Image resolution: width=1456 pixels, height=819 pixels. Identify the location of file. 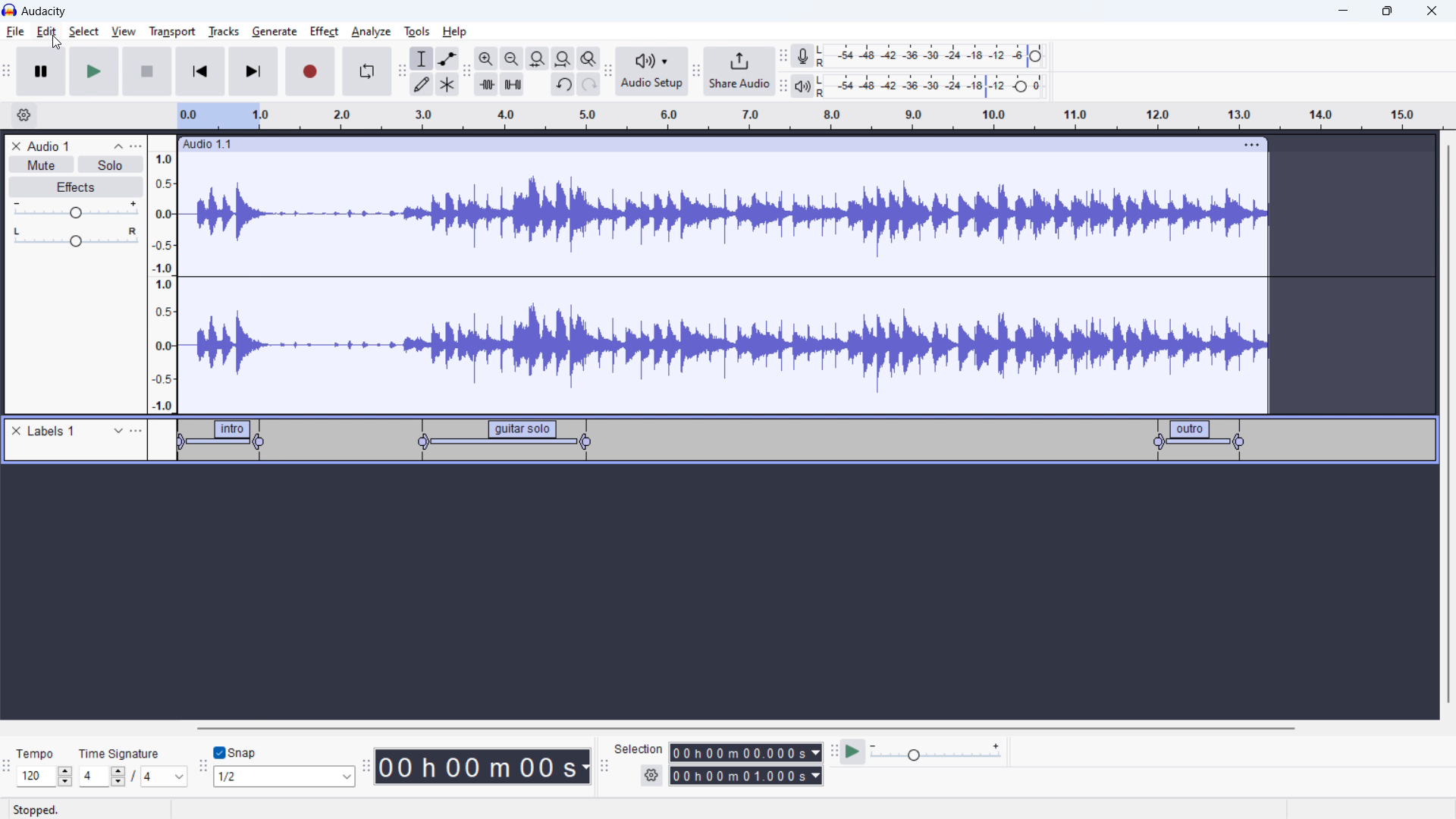
(16, 32).